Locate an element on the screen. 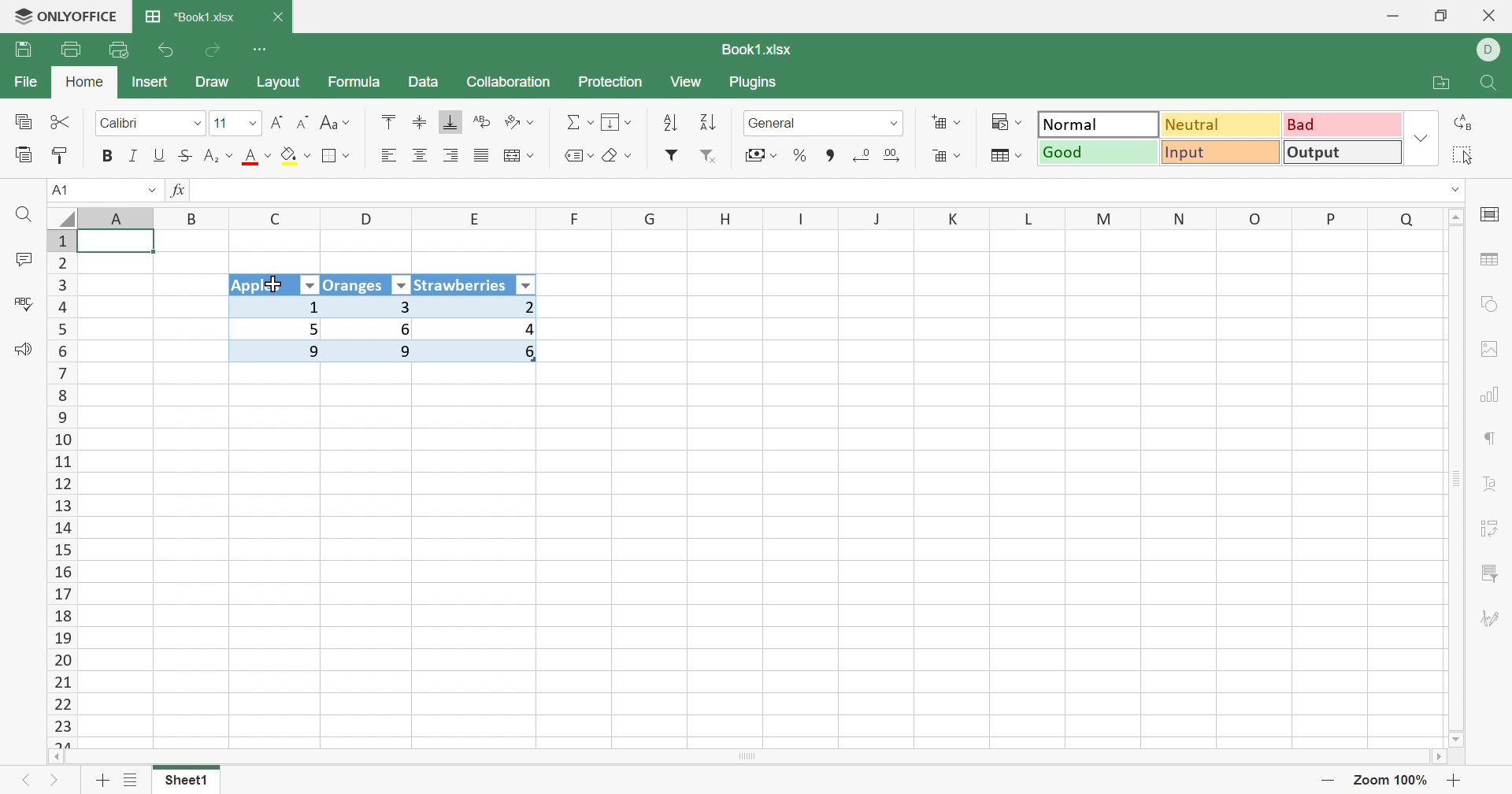 The height and width of the screenshot is (794, 1512). Descending order is located at coordinates (706, 124).